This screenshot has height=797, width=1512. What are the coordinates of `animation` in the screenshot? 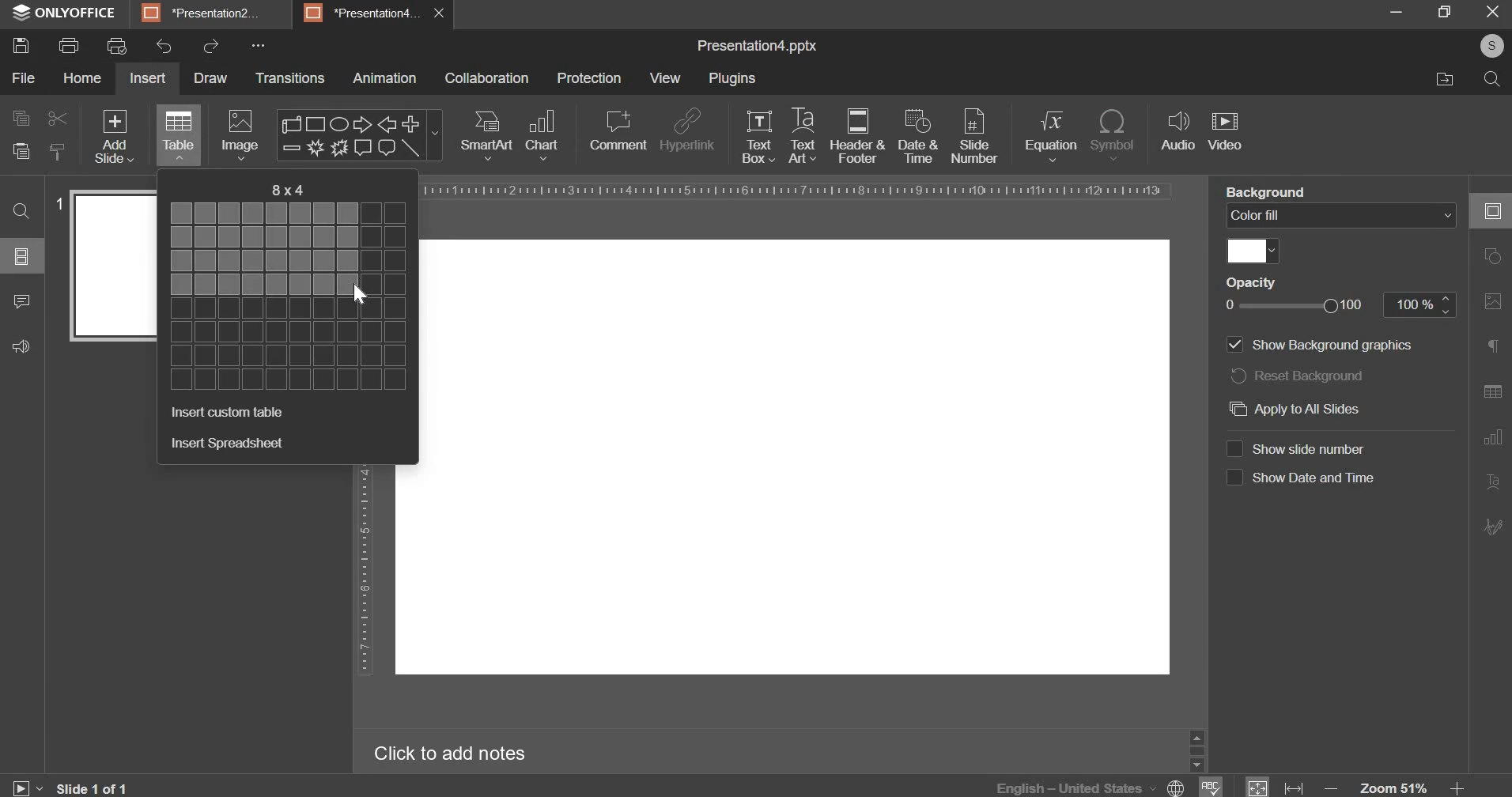 It's located at (385, 77).